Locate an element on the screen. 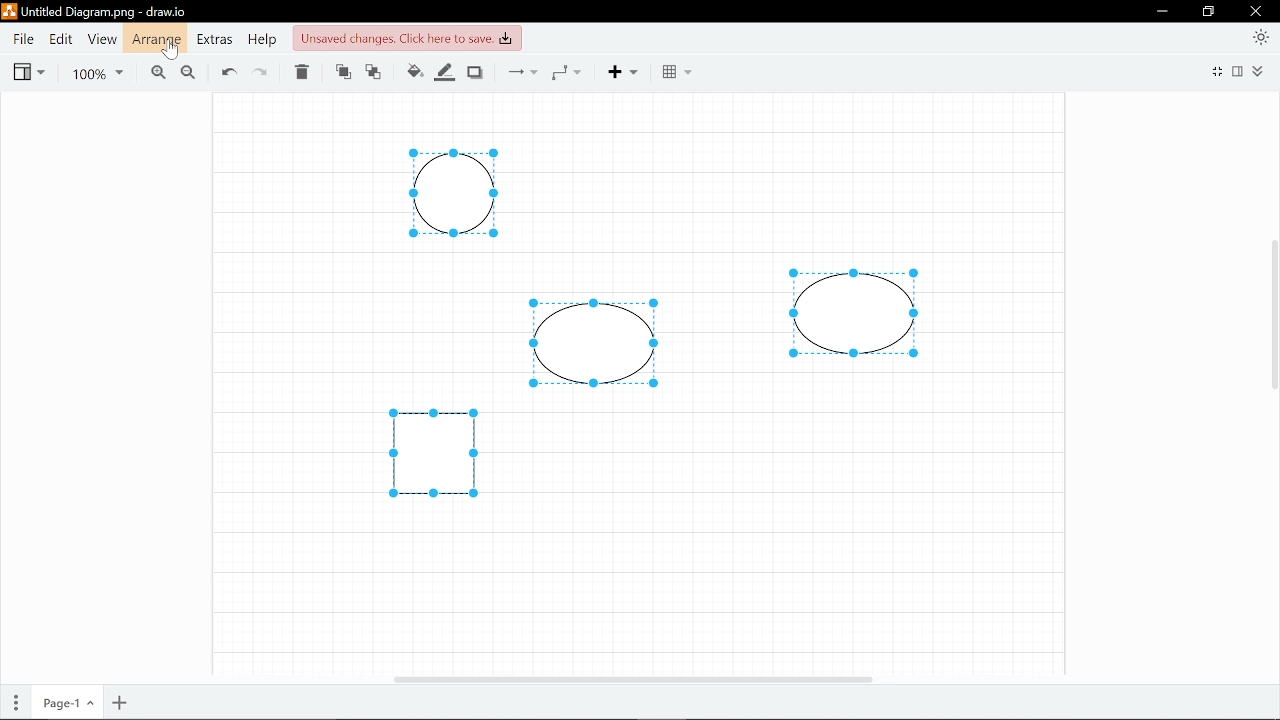  Add page is located at coordinates (121, 703).